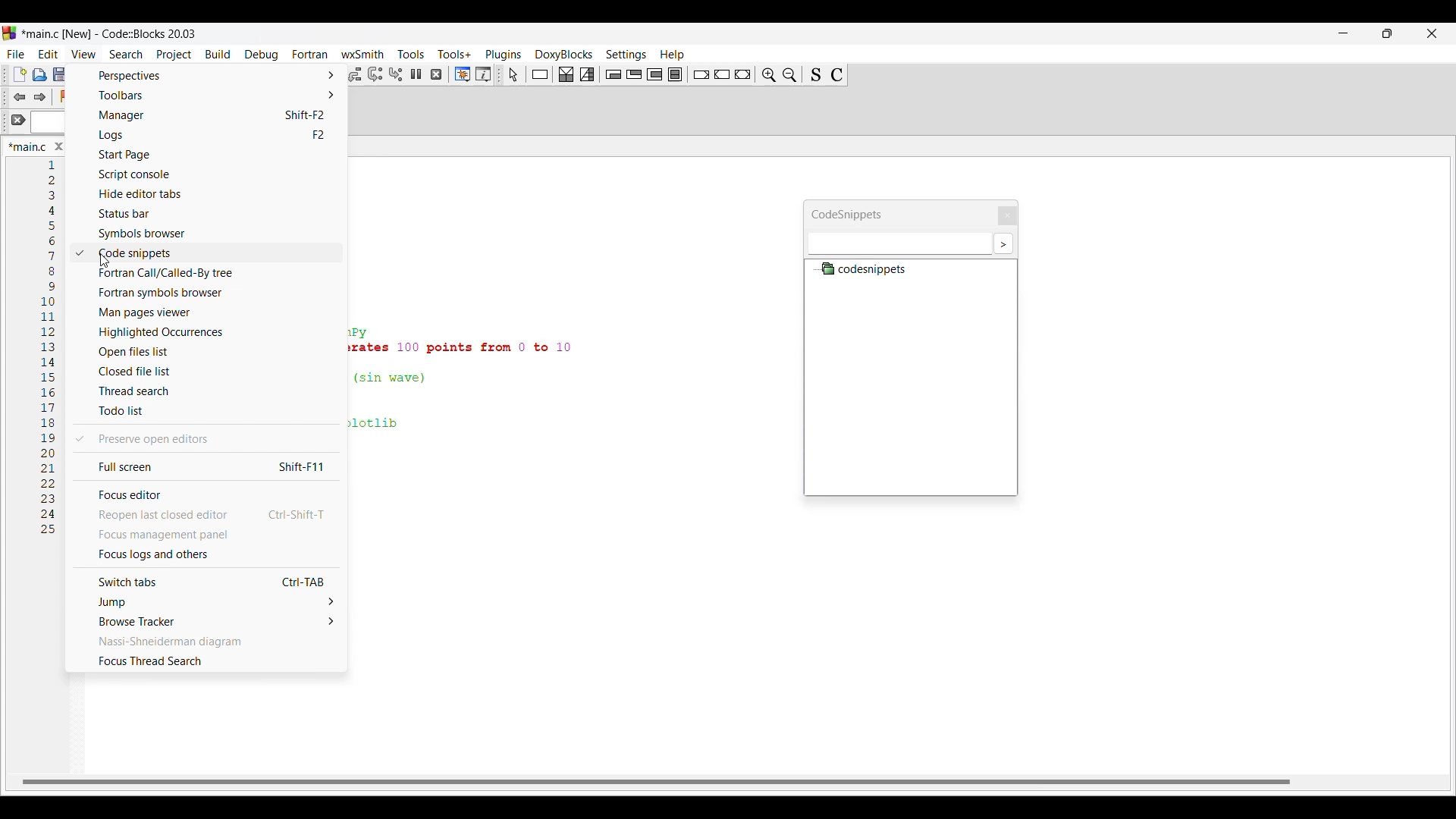 The width and height of the screenshot is (1456, 819). I want to click on Toggle source, so click(815, 74).